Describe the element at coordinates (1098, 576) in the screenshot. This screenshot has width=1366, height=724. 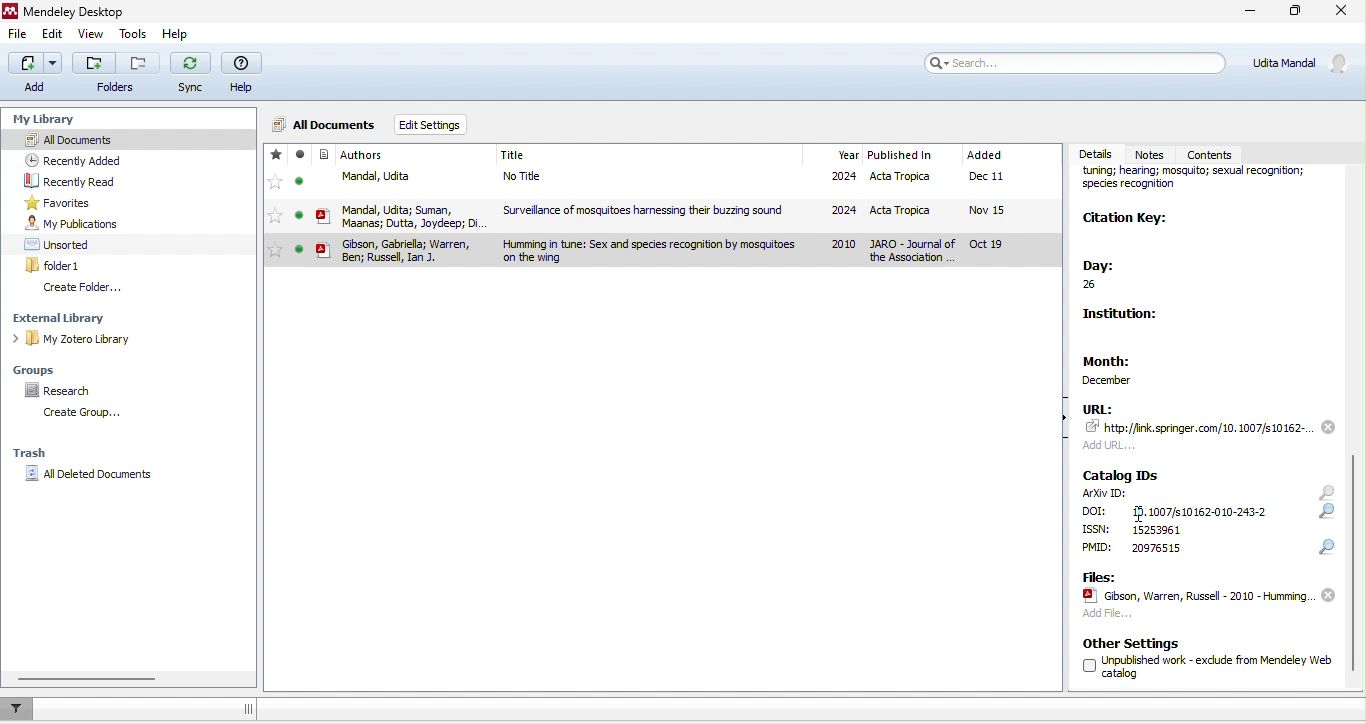
I see `files` at that location.